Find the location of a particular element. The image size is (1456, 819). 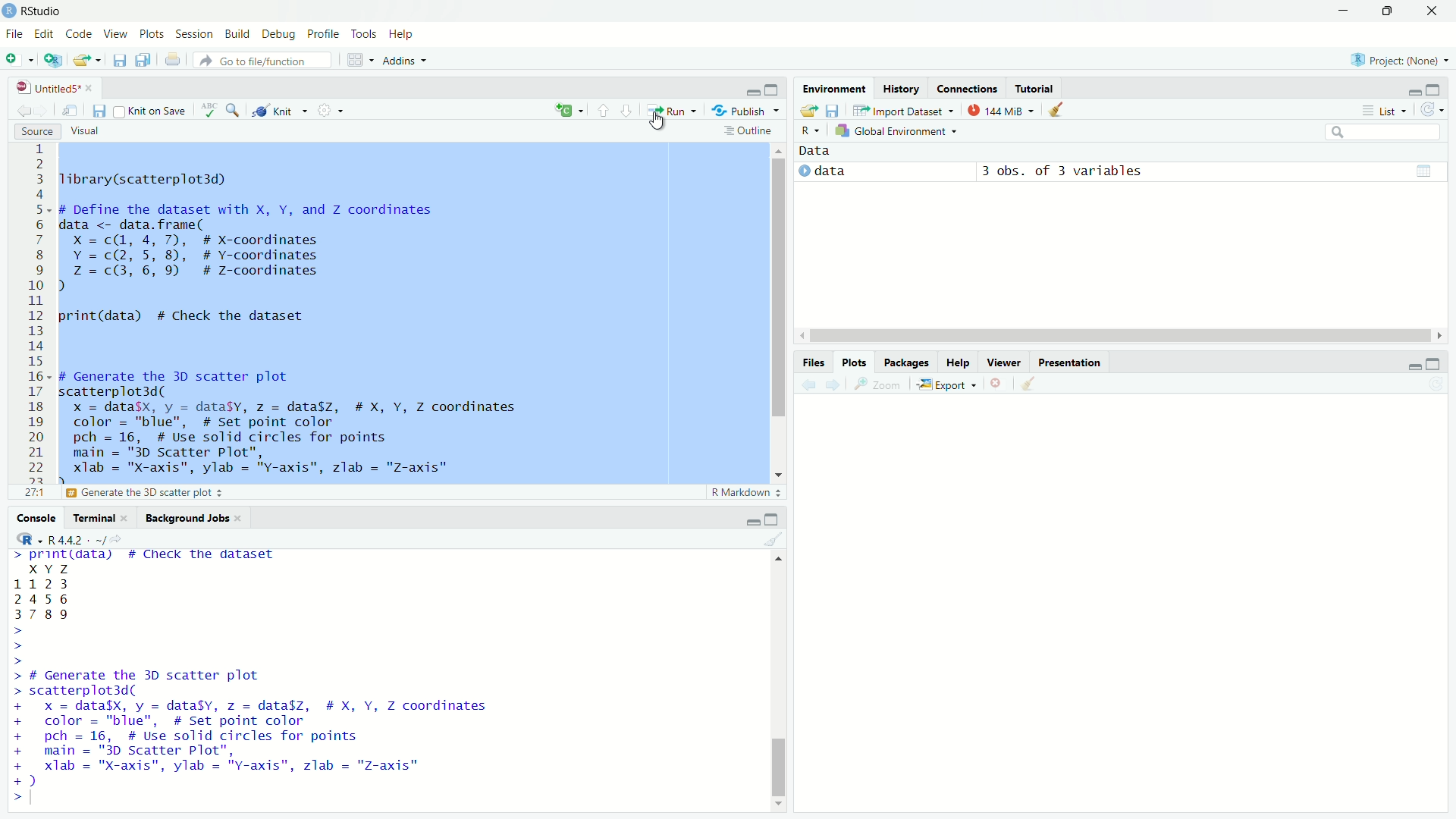

go back to previous source location is located at coordinates (15, 110).